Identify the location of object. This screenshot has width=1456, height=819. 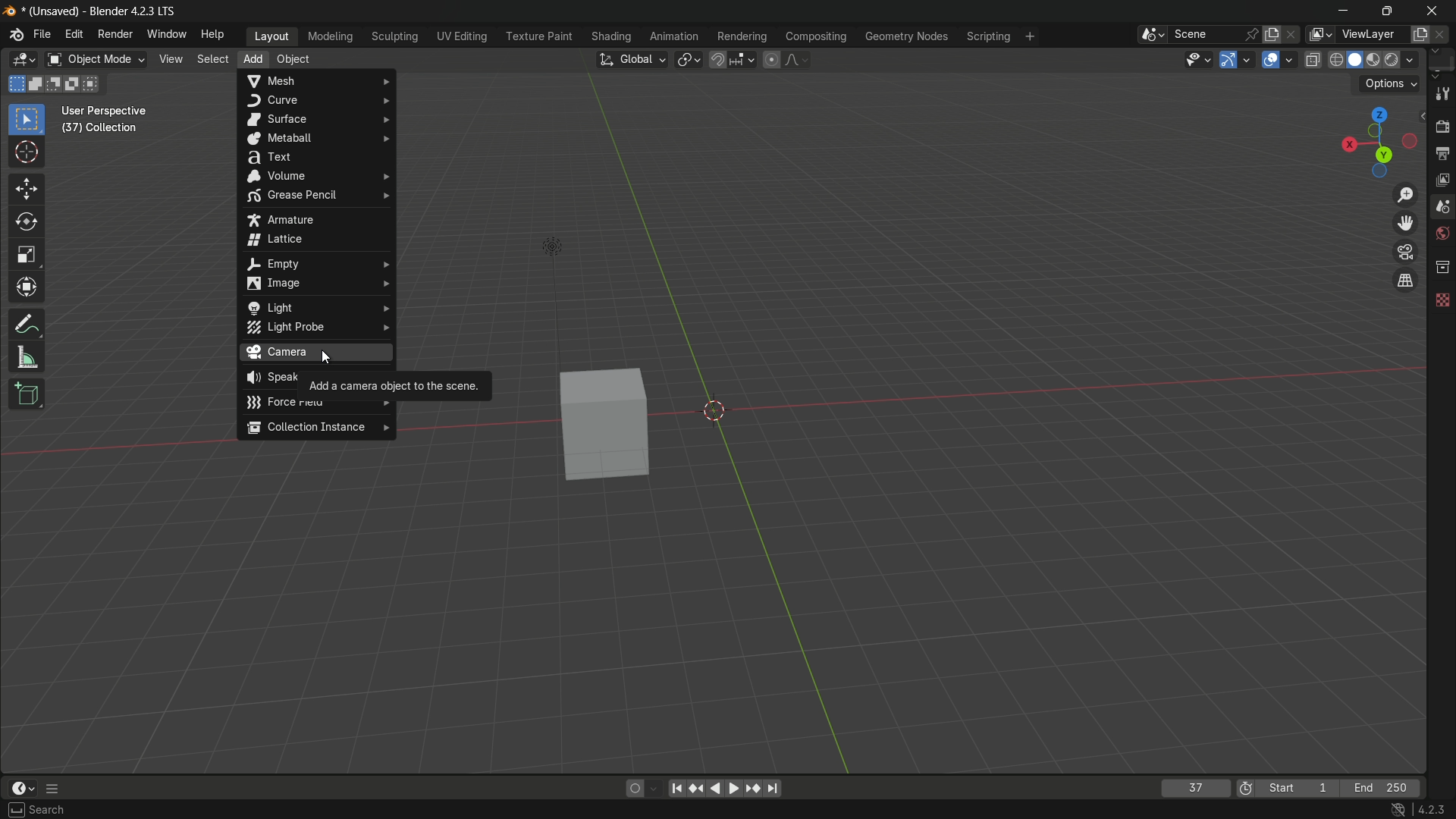
(293, 60).